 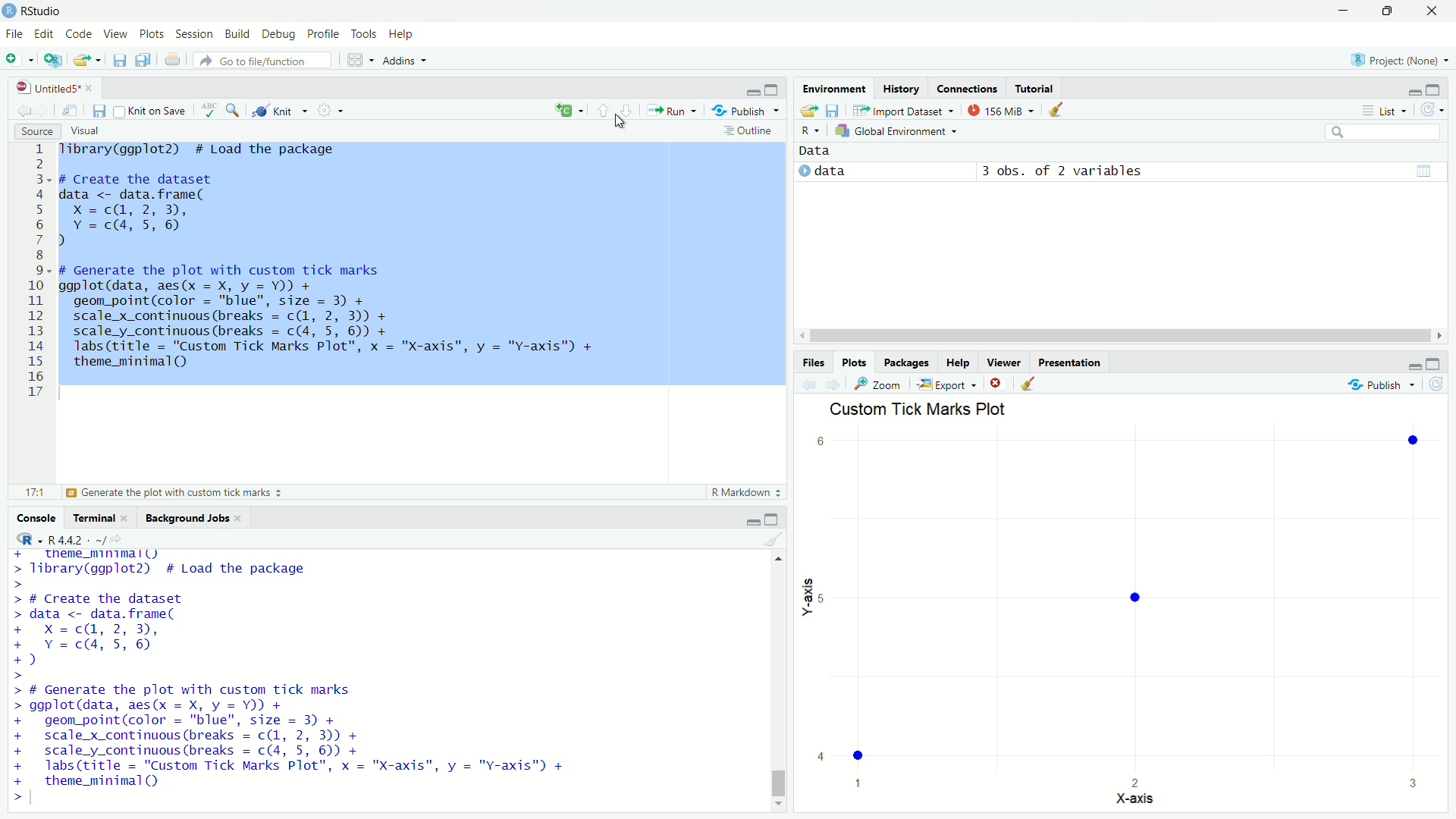 I want to click on code to create the dataset, so click(x=190, y=209).